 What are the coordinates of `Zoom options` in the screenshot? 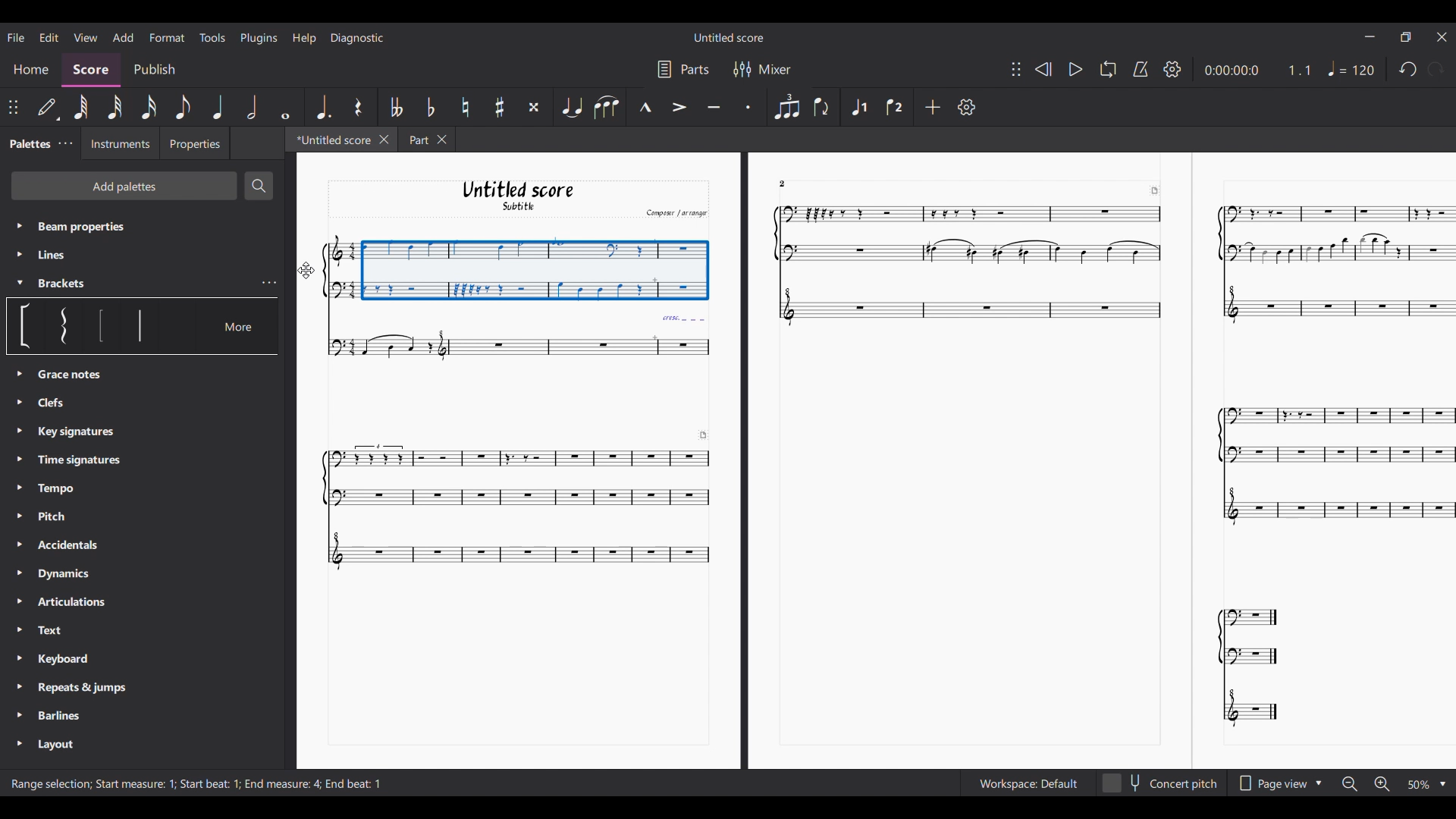 It's located at (1418, 785).